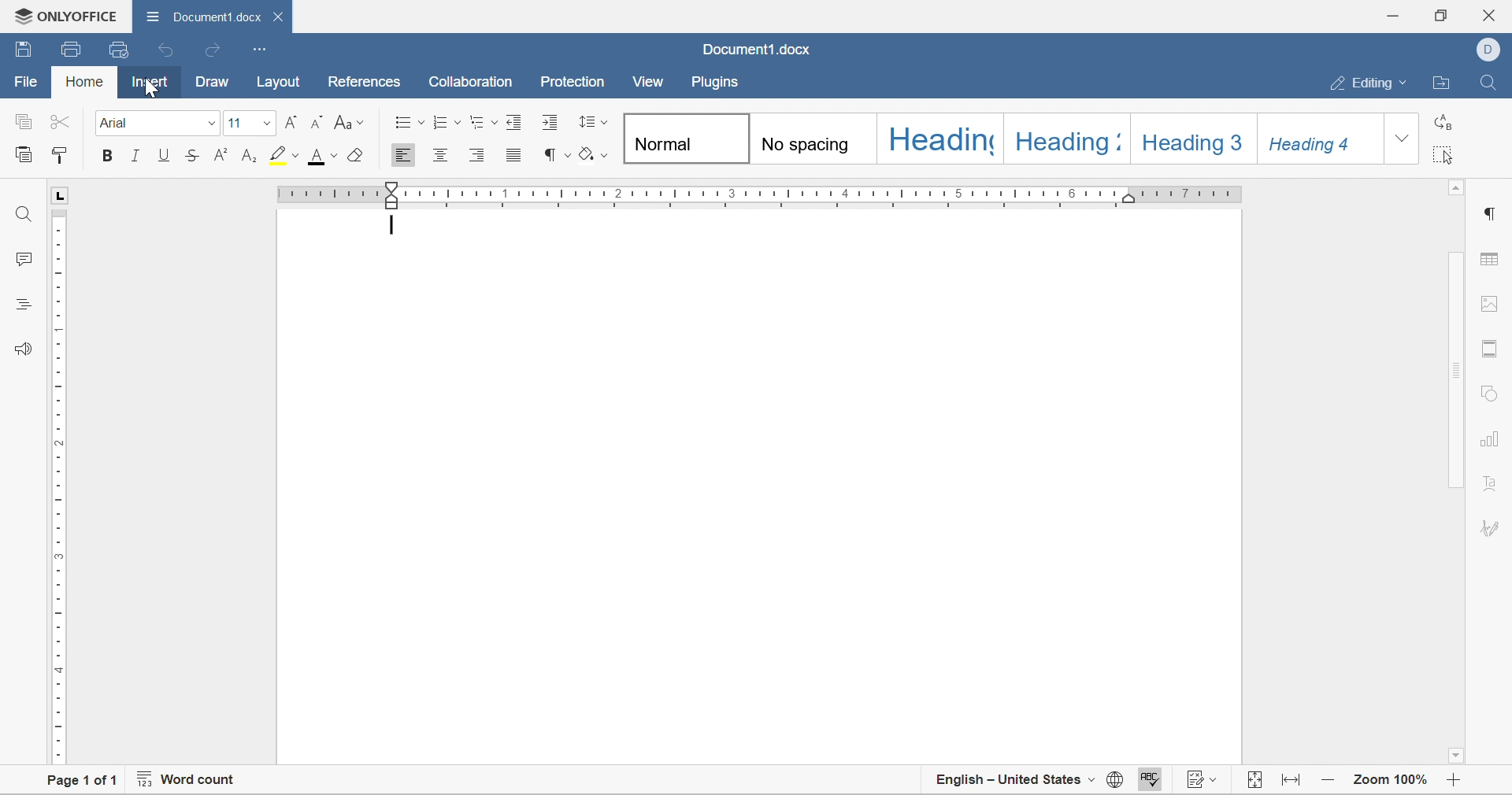  Describe the element at coordinates (154, 89) in the screenshot. I see `cursor` at that location.